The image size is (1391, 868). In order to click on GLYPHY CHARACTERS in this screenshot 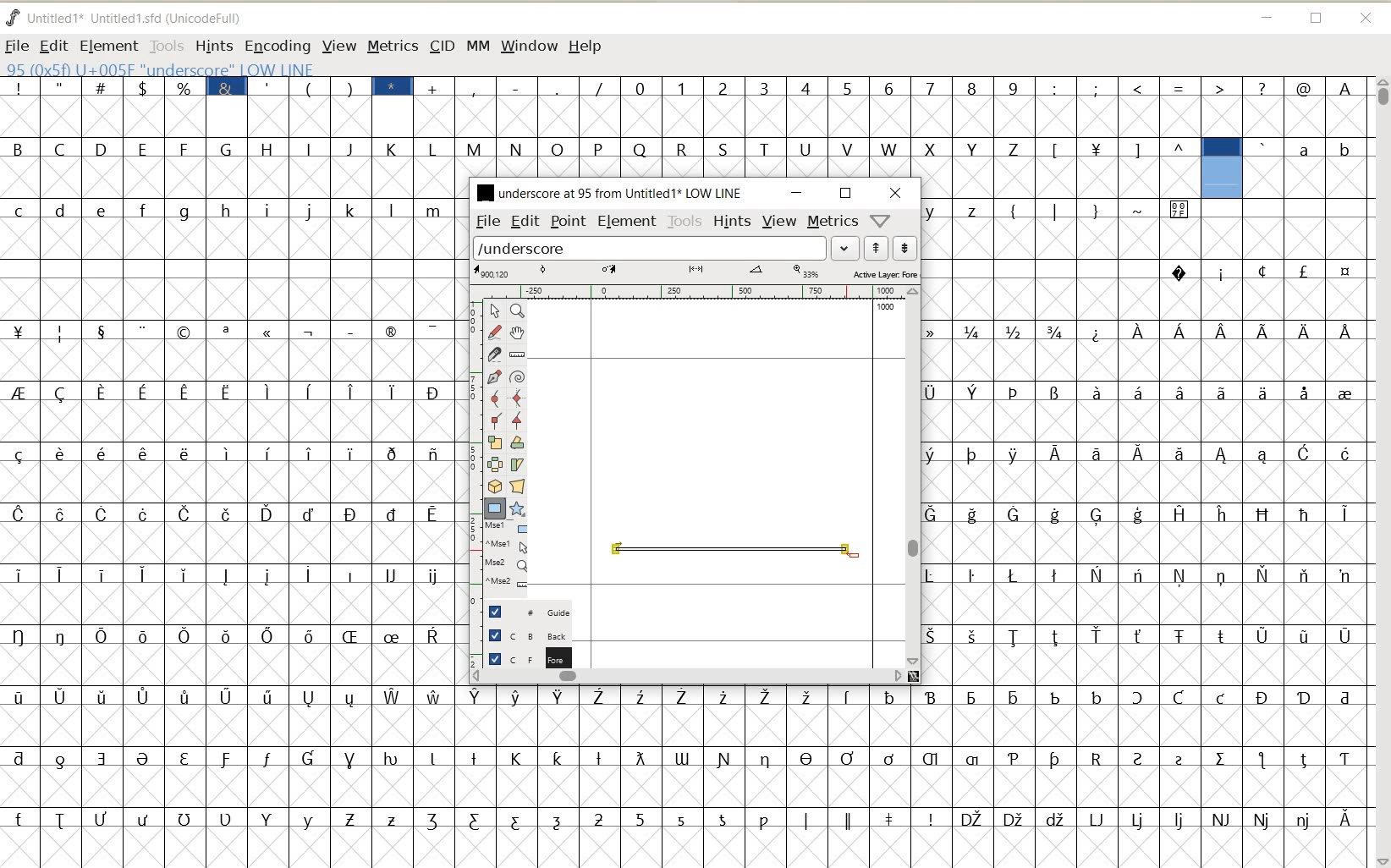, I will do `click(689, 151)`.